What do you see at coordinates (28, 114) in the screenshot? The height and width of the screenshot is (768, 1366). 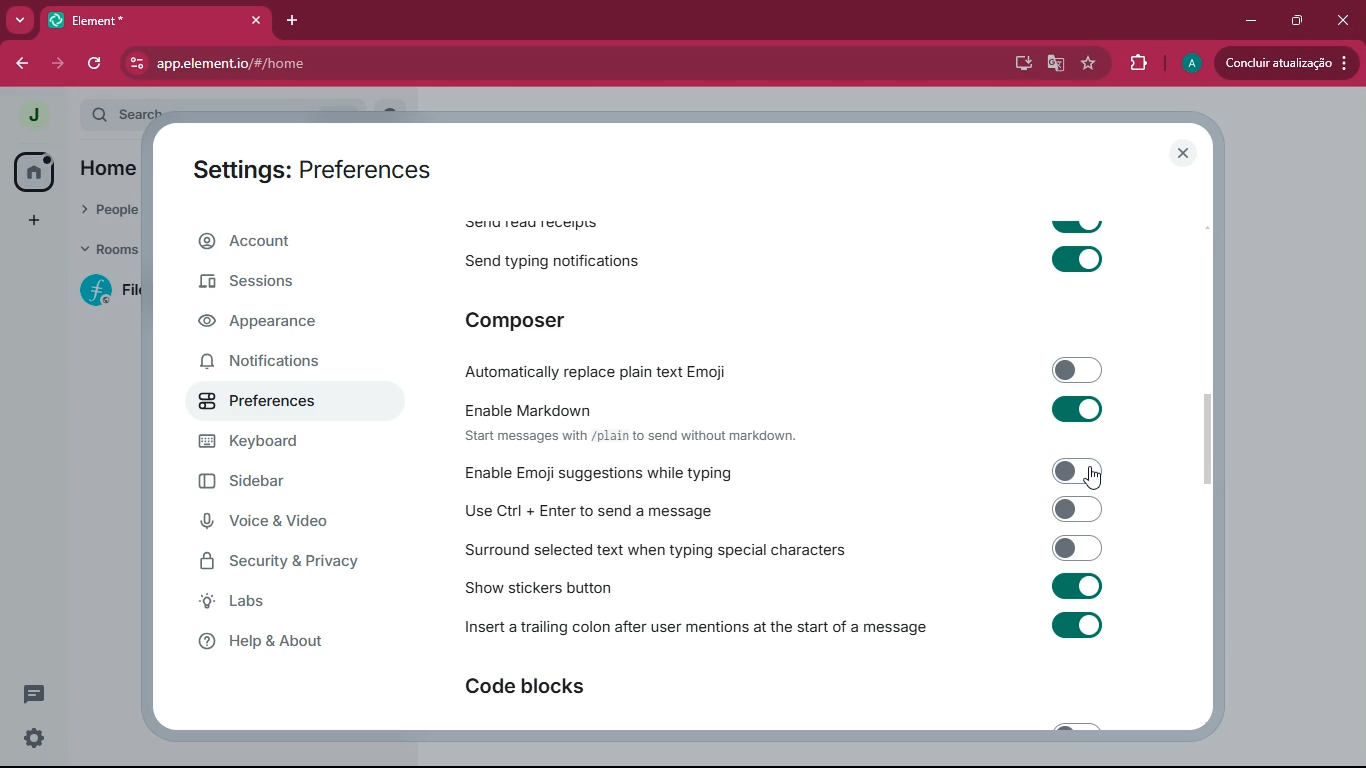 I see `profile picture` at bounding box center [28, 114].